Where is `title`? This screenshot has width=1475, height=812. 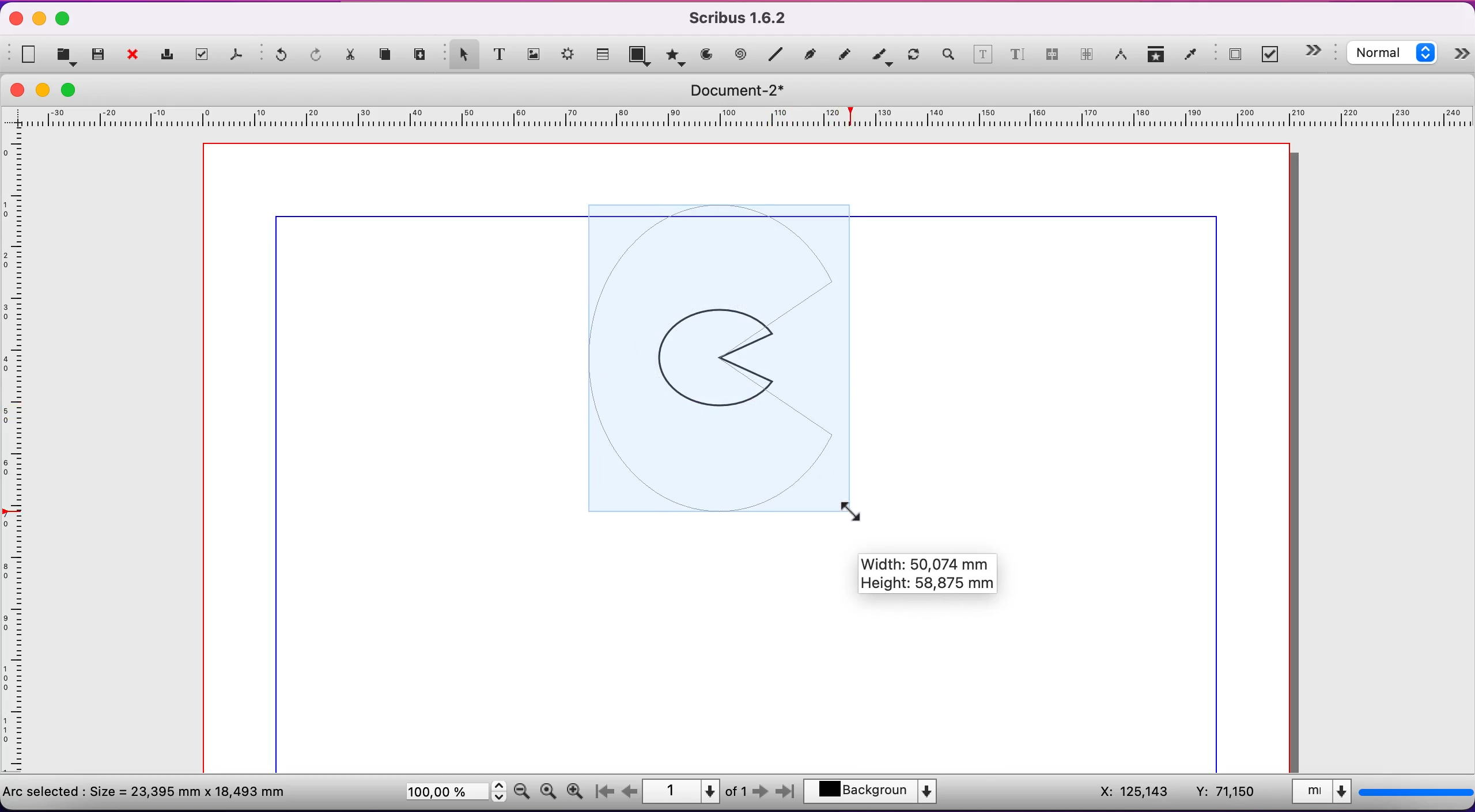
title is located at coordinates (745, 90).